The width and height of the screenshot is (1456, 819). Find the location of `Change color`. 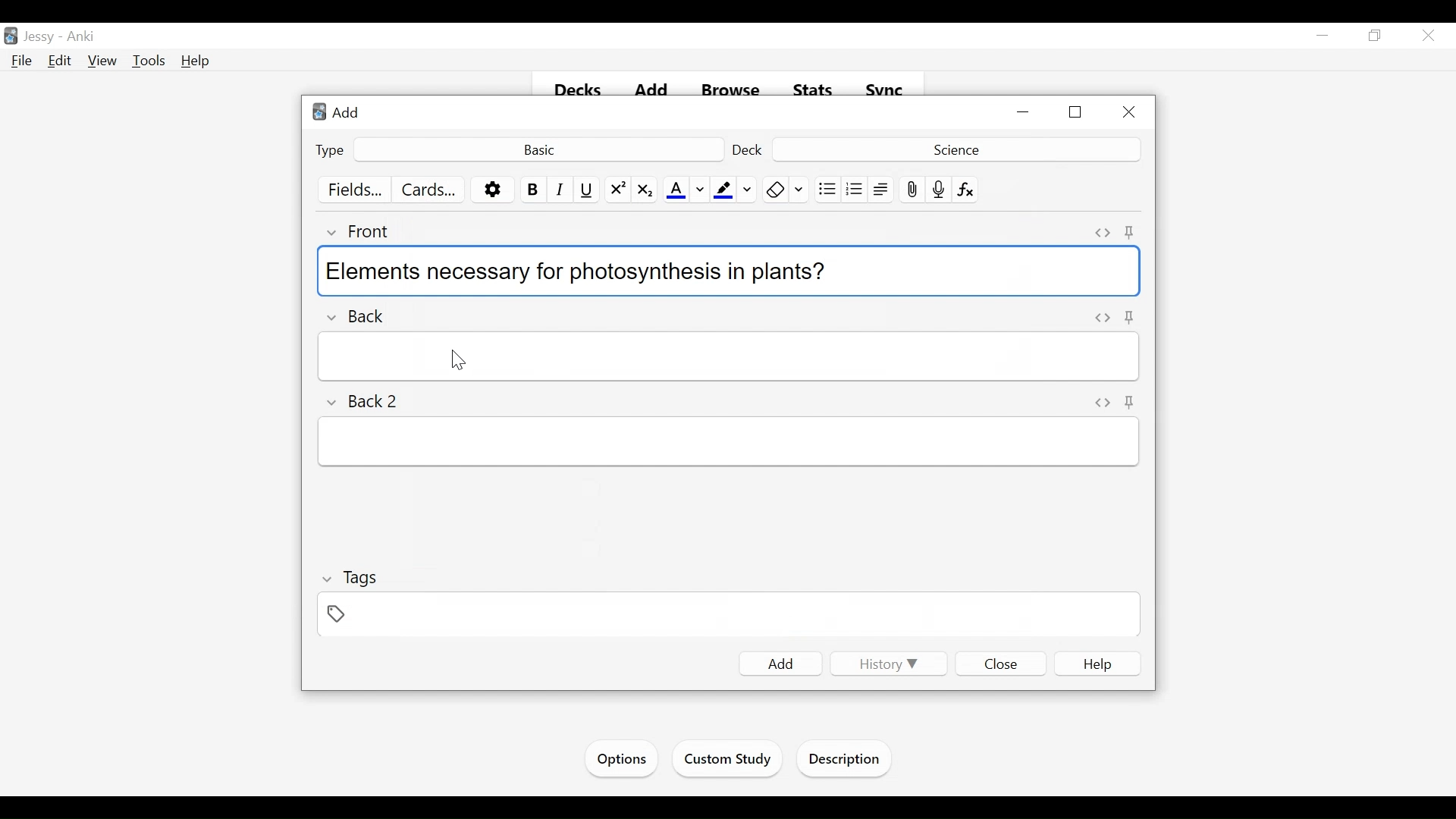

Change color is located at coordinates (800, 190).